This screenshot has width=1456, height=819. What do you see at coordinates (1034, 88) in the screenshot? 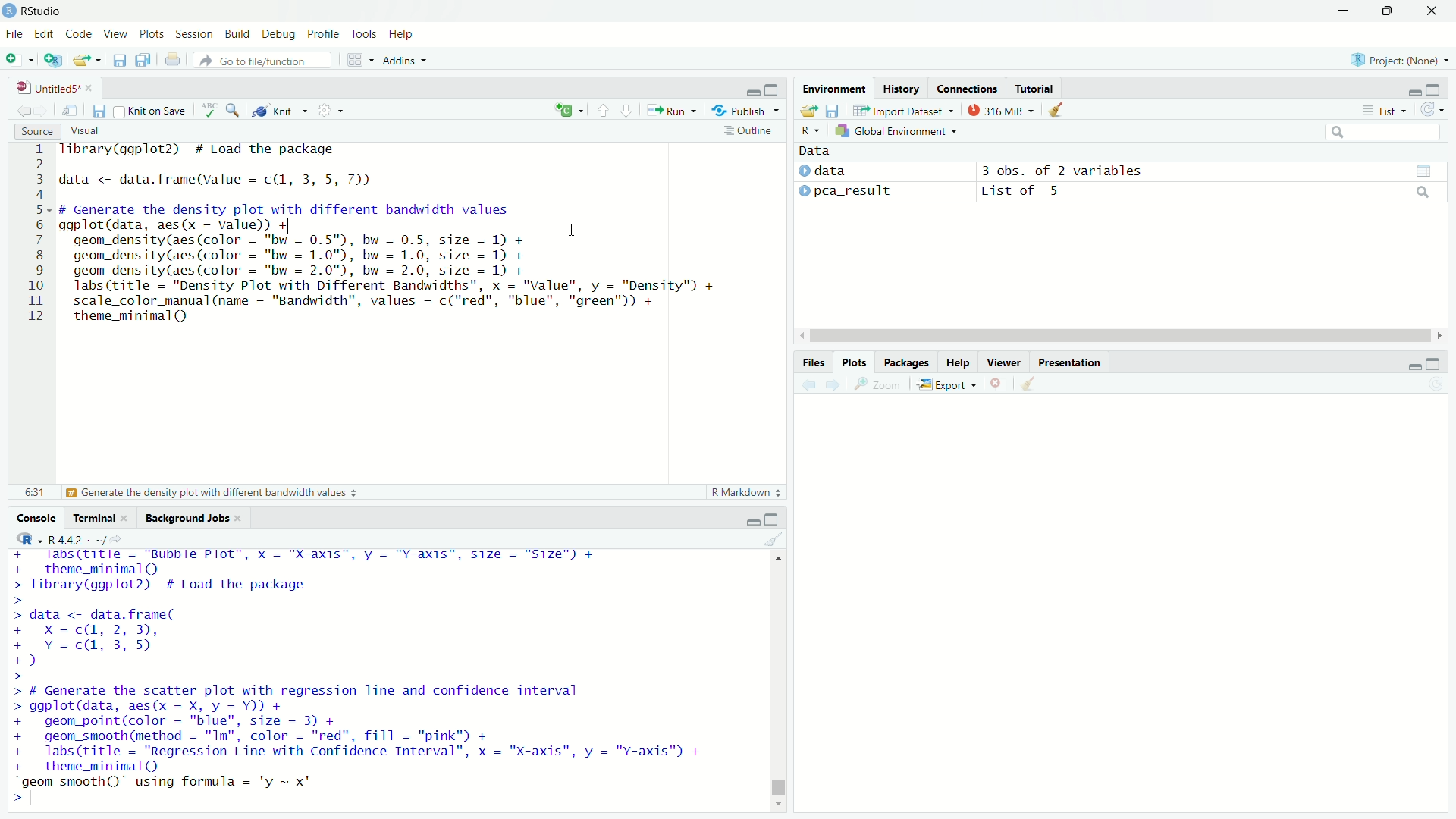
I see `Tutorial` at bounding box center [1034, 88].